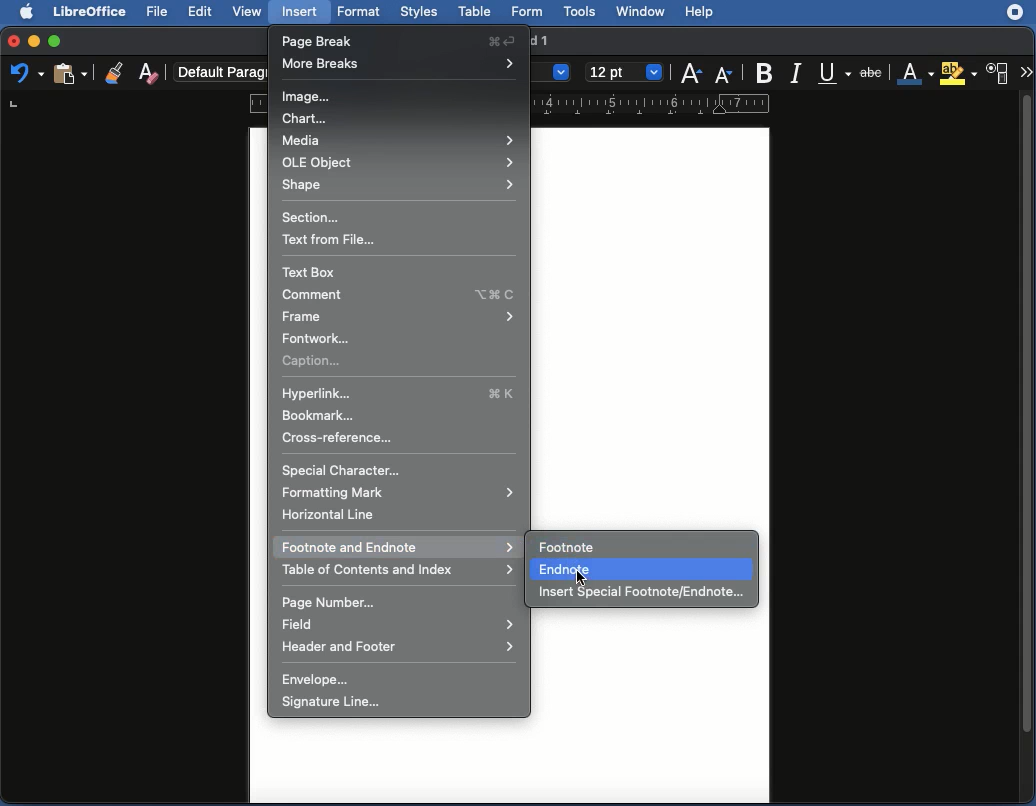  I want to click on Horizontal line, so click(333, 514).